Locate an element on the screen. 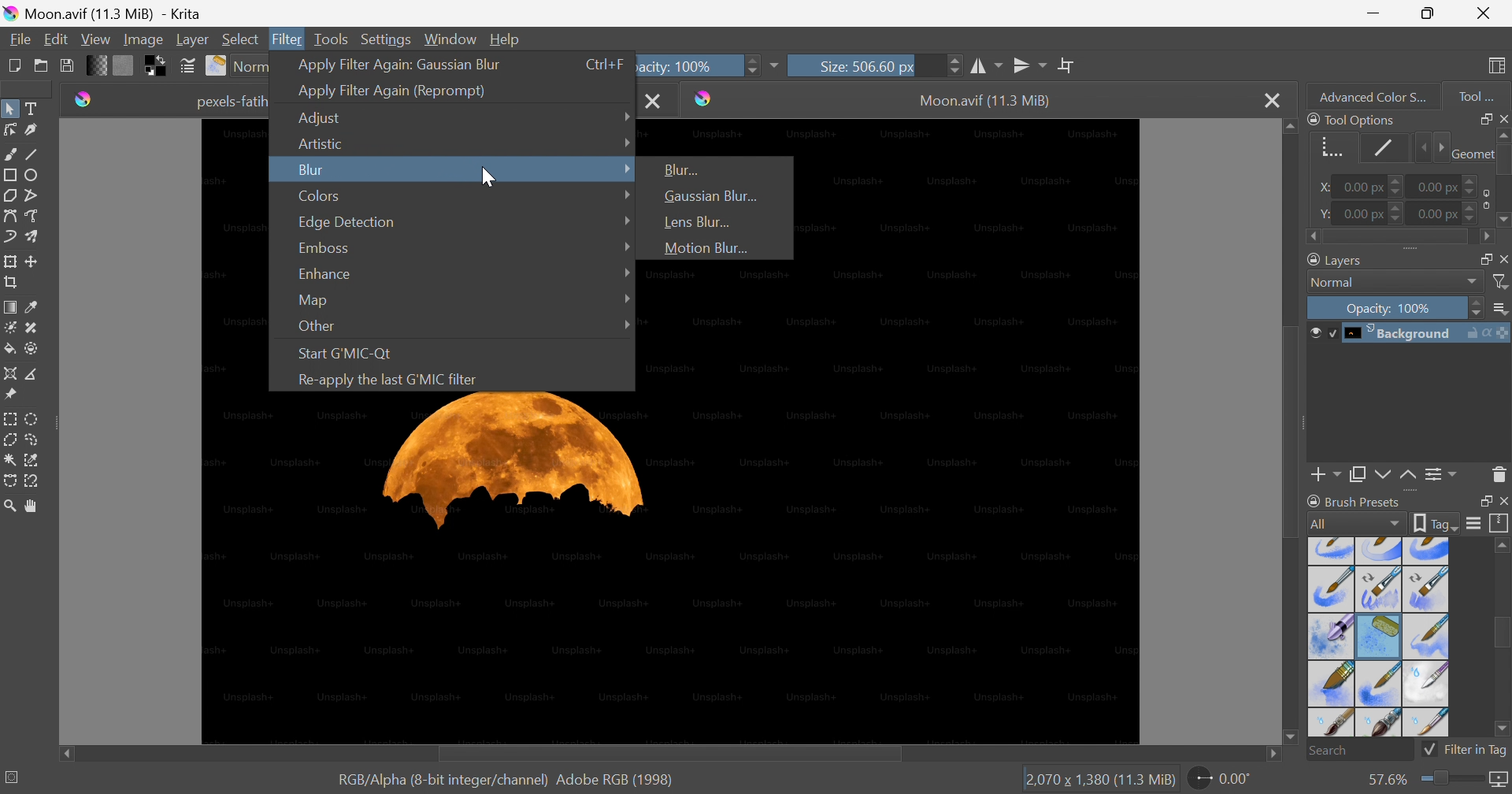 This screenshot has width=1512, height=794. Line tool is located at coordinates (32, 150).